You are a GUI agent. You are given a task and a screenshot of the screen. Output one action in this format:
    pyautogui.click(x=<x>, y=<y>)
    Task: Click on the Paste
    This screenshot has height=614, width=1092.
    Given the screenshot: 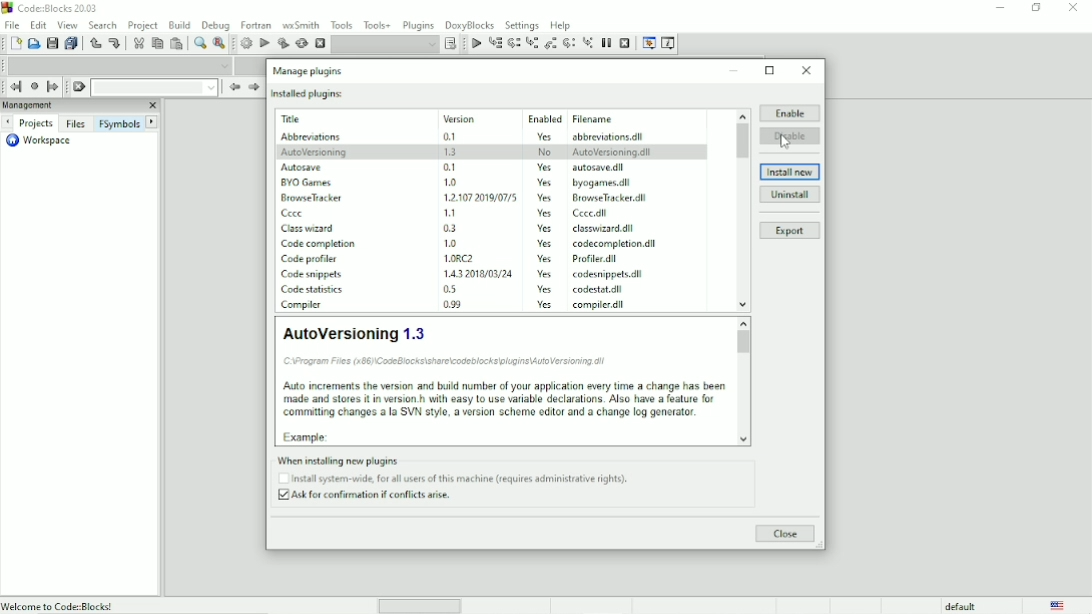 What is the action you would take?
    pyautogui.click(x=178, y=44)
    